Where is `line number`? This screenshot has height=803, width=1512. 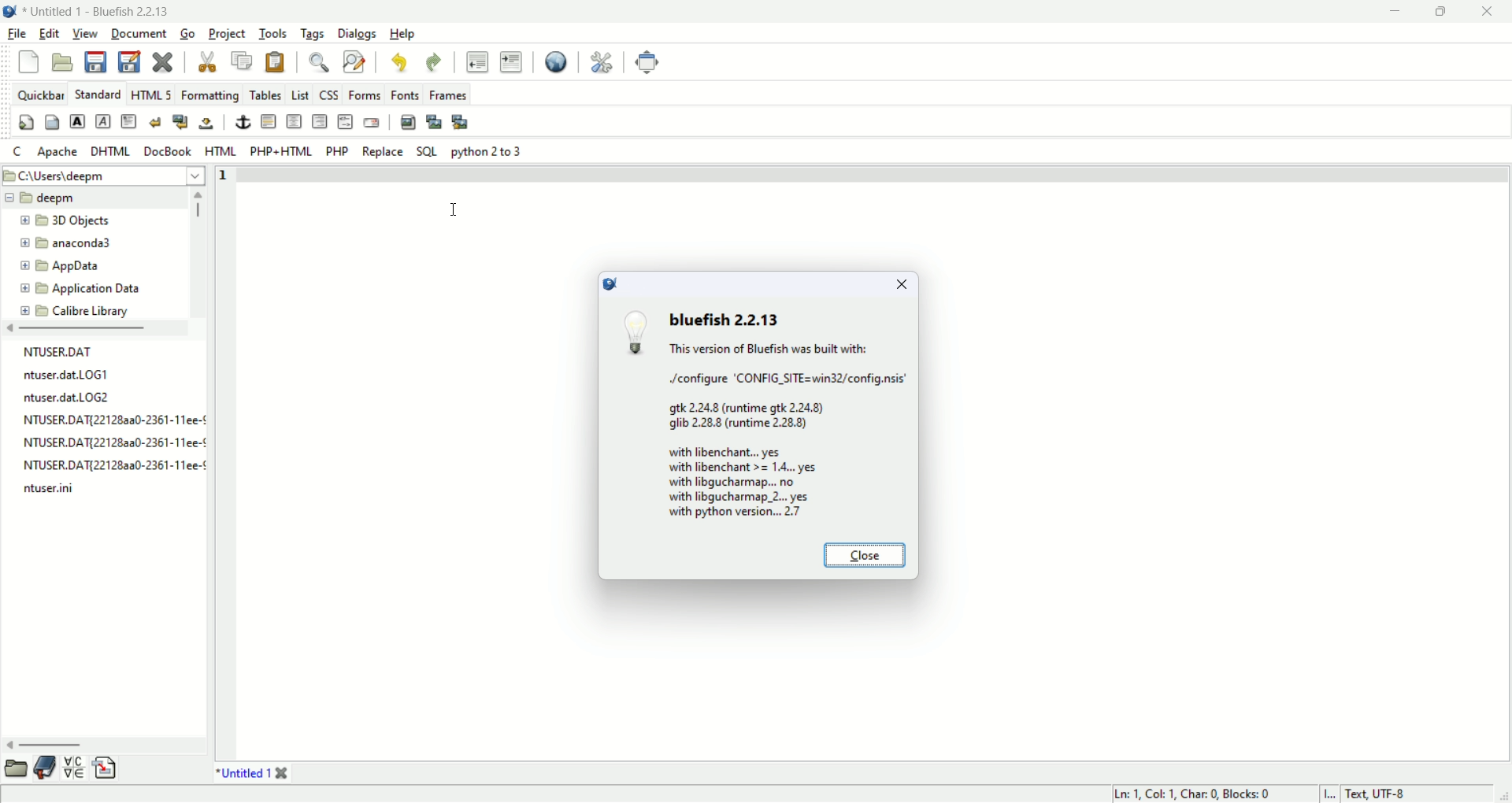
line number is located at coordinates (225, 461).